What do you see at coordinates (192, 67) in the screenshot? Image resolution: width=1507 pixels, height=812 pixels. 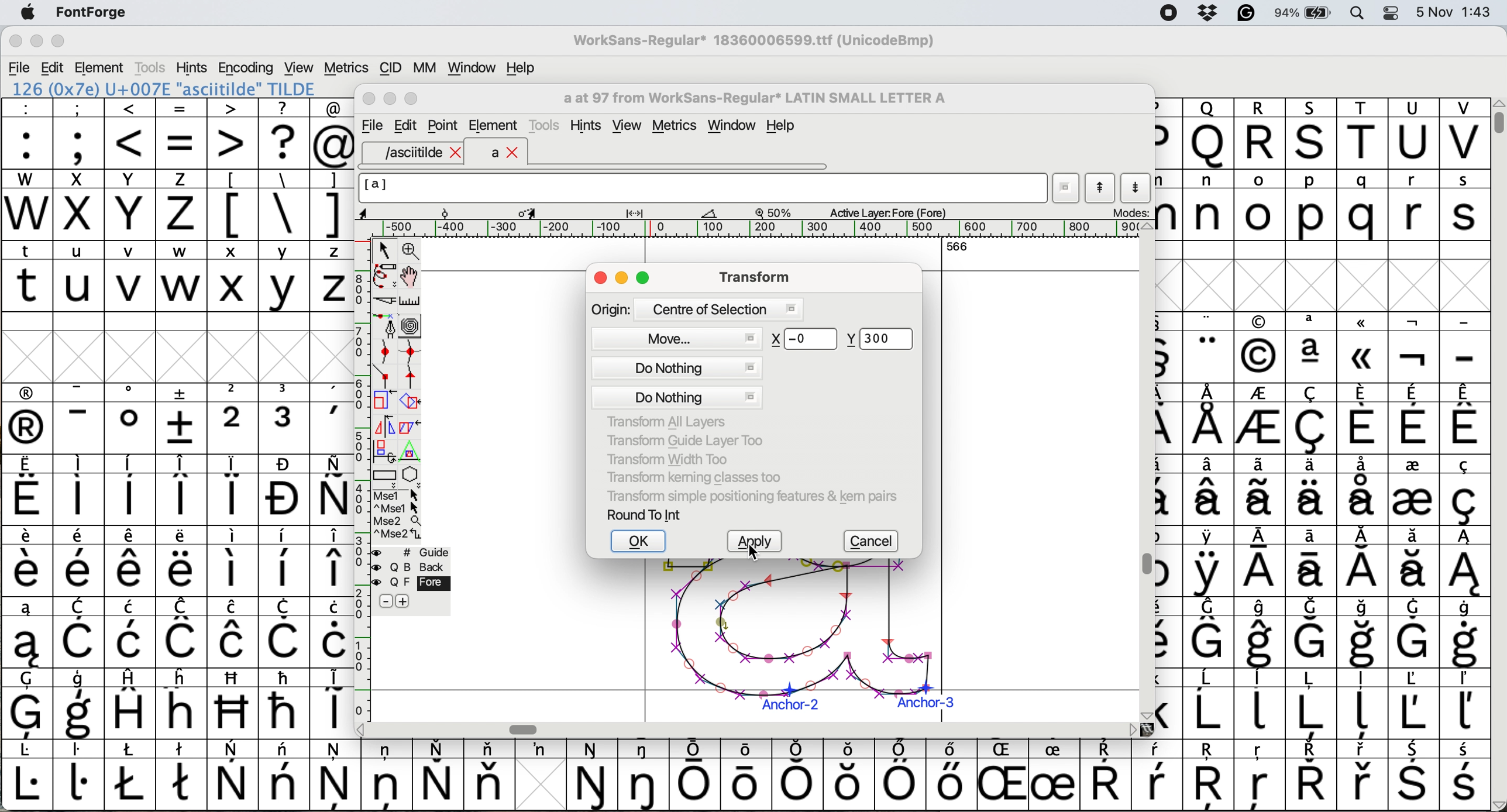 I see `hints` at bounding box center [192, 67].